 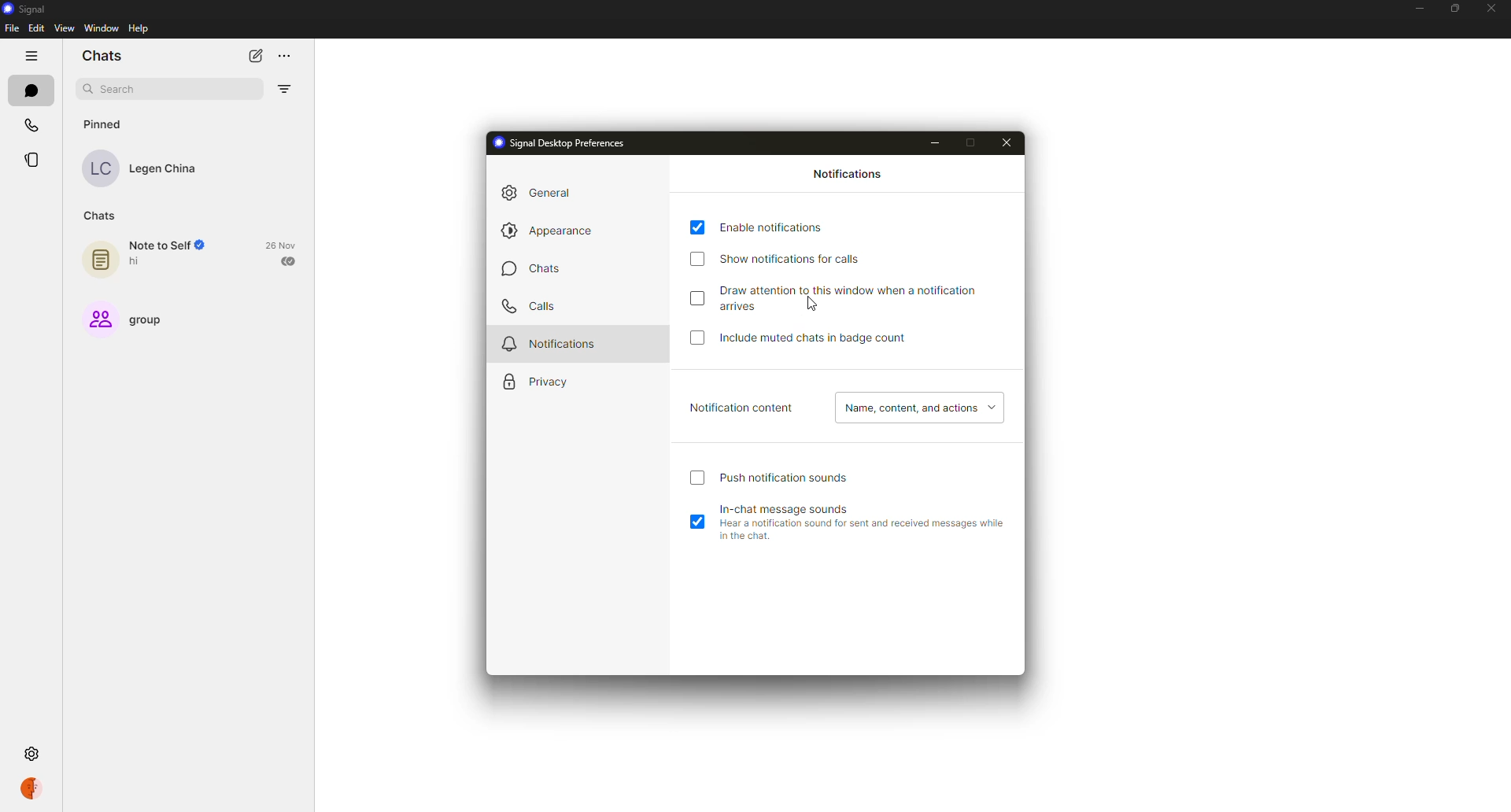 What do you see at coordinates (532, 304) in the screenshot?
I see `calls` at bounding box center [532, 304].